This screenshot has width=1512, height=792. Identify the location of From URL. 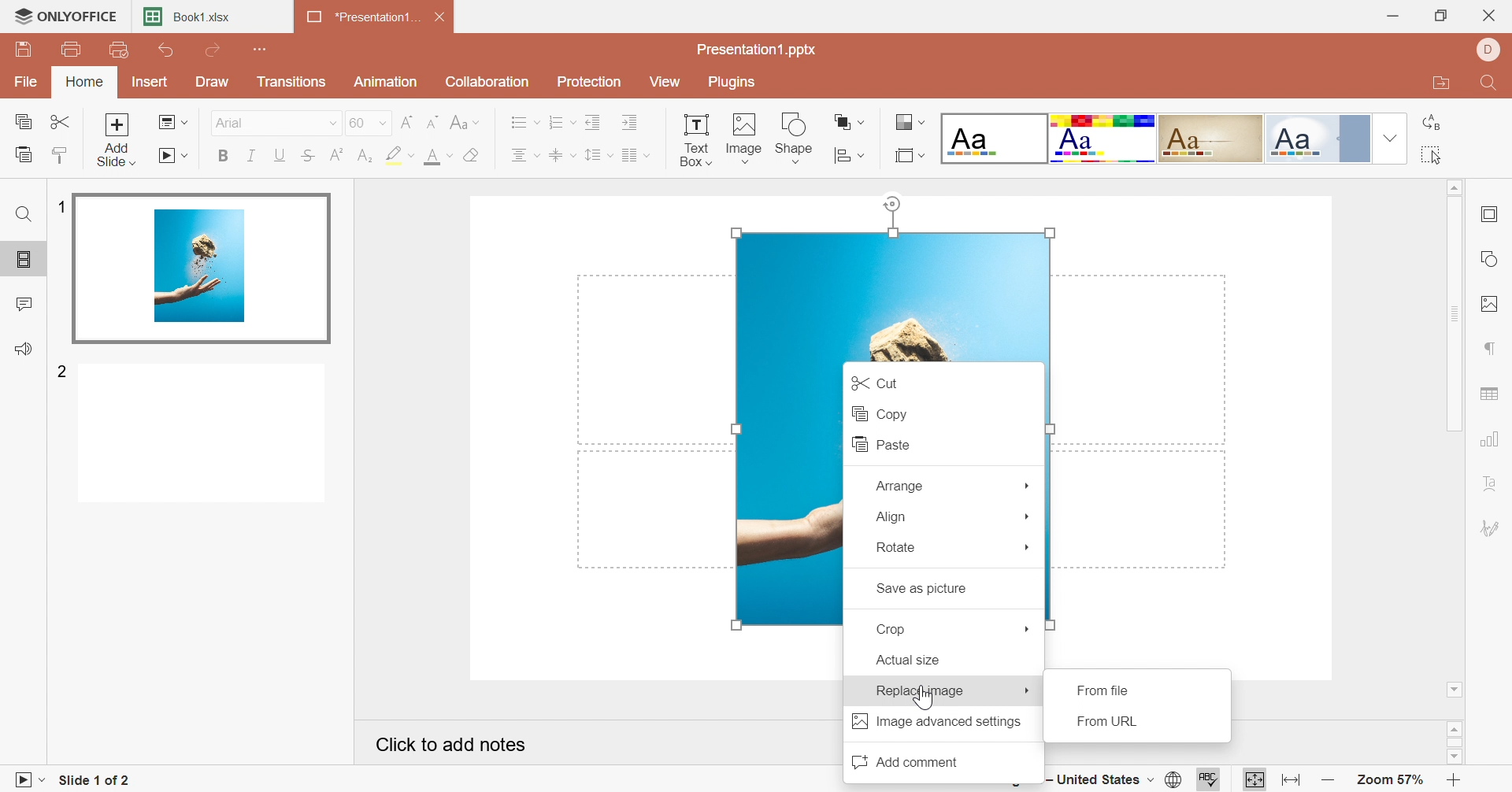
(1113, 723).